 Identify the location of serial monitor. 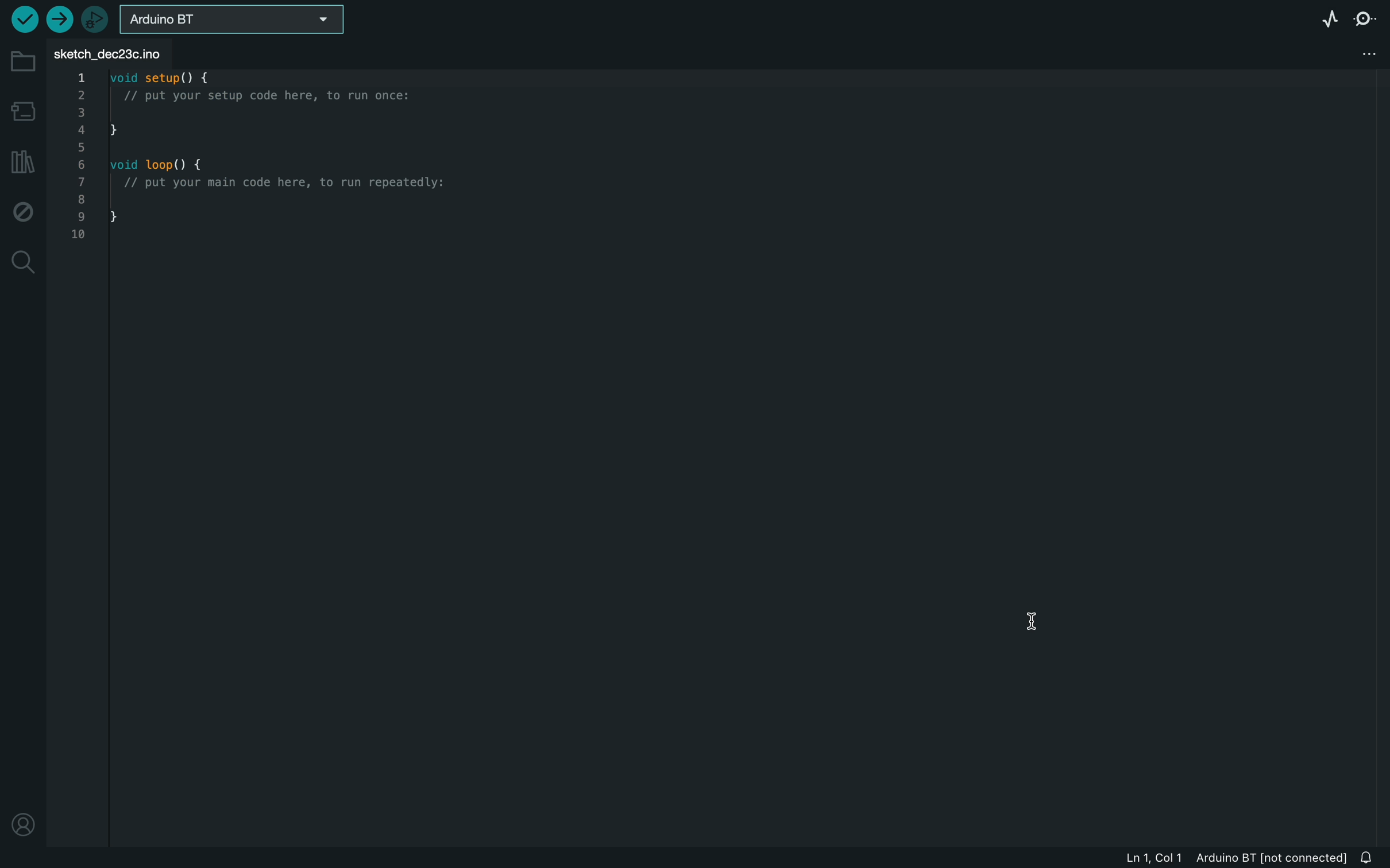
(1368, 18).